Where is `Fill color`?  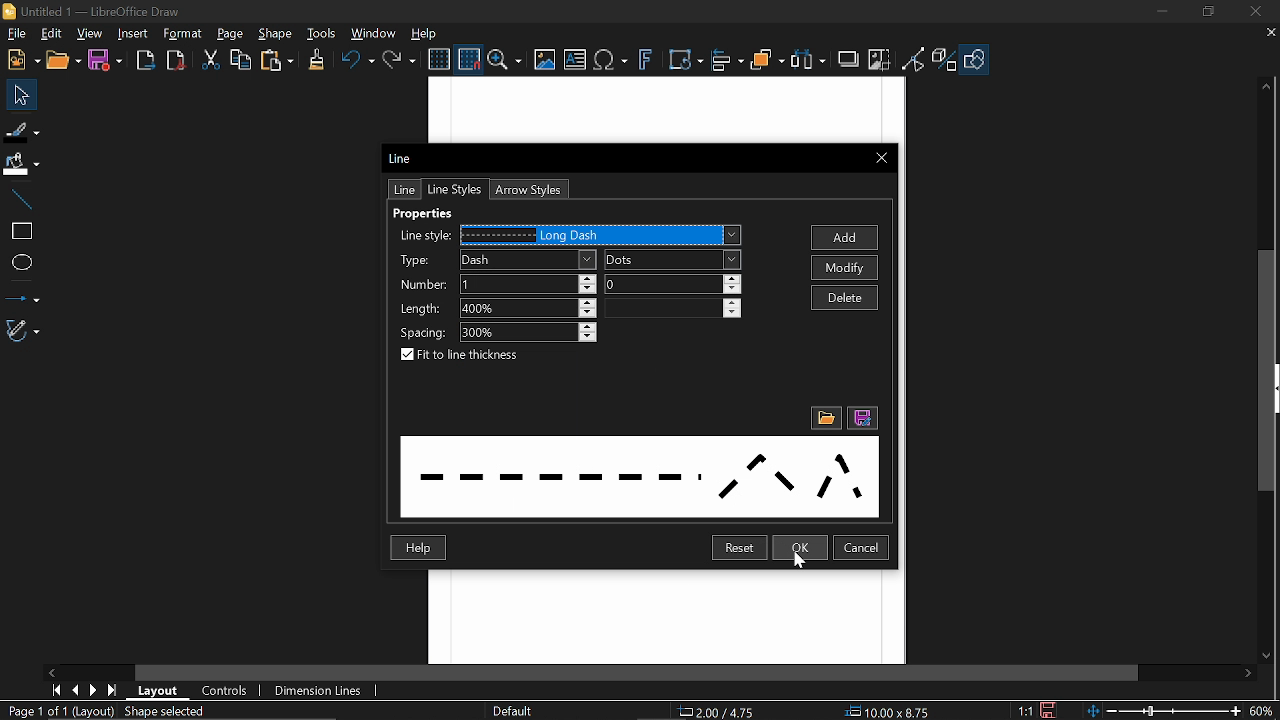 Fill color is located at coordinates (21, 165).